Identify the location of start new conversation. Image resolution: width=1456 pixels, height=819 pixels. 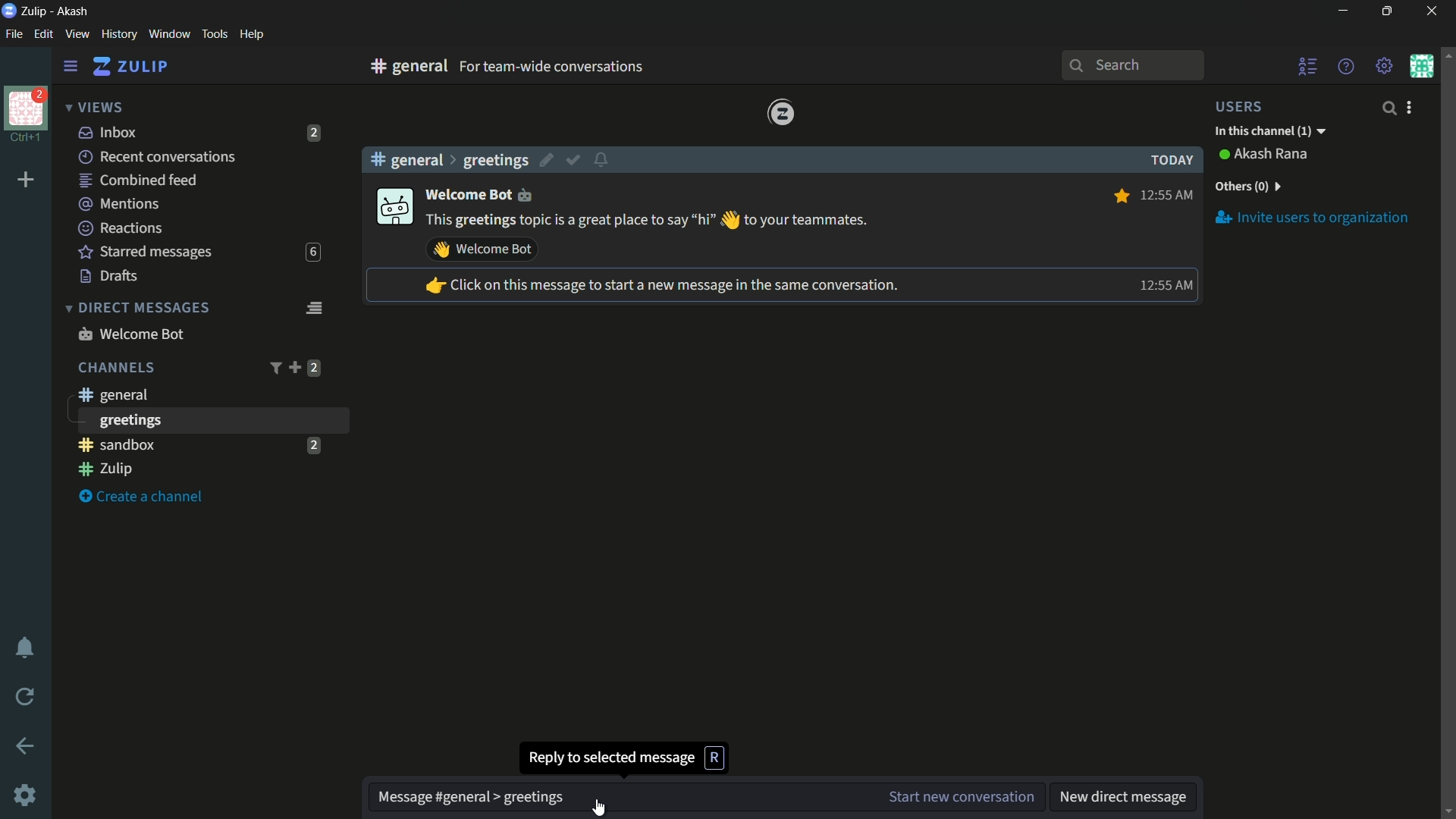
(959, 797).